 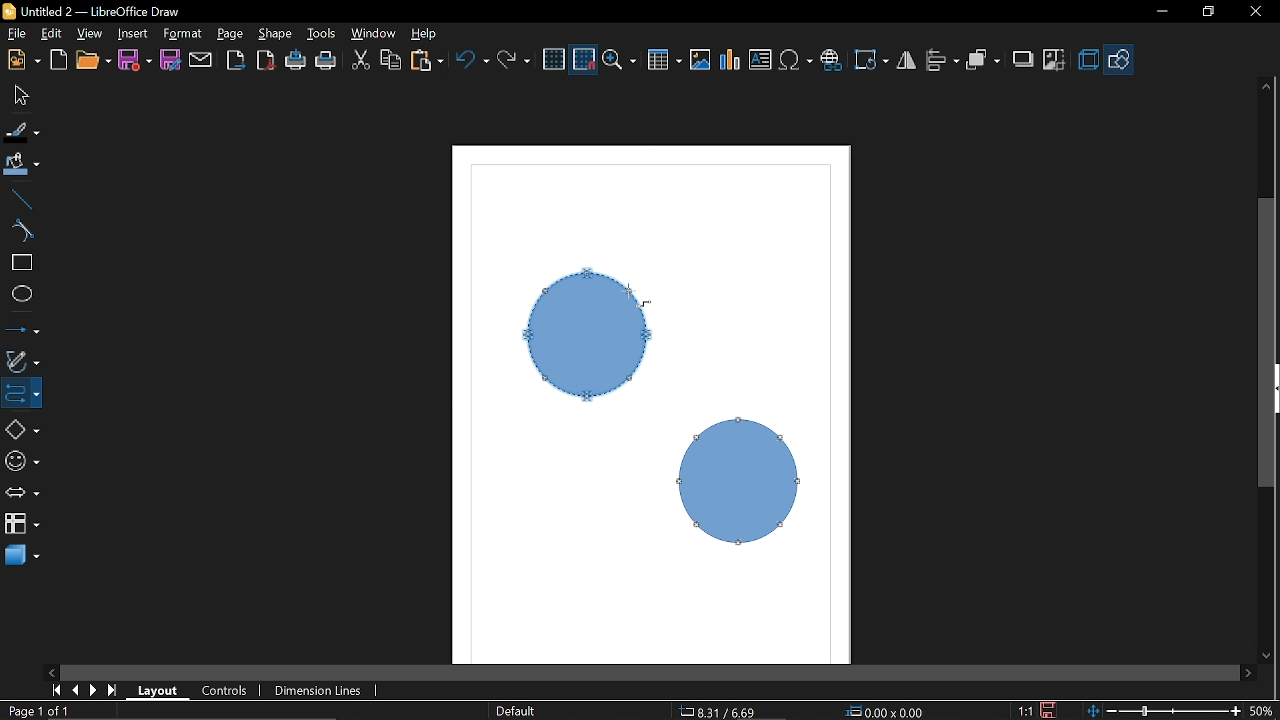 I want to click on COnnector, so click(x=21, y=393).